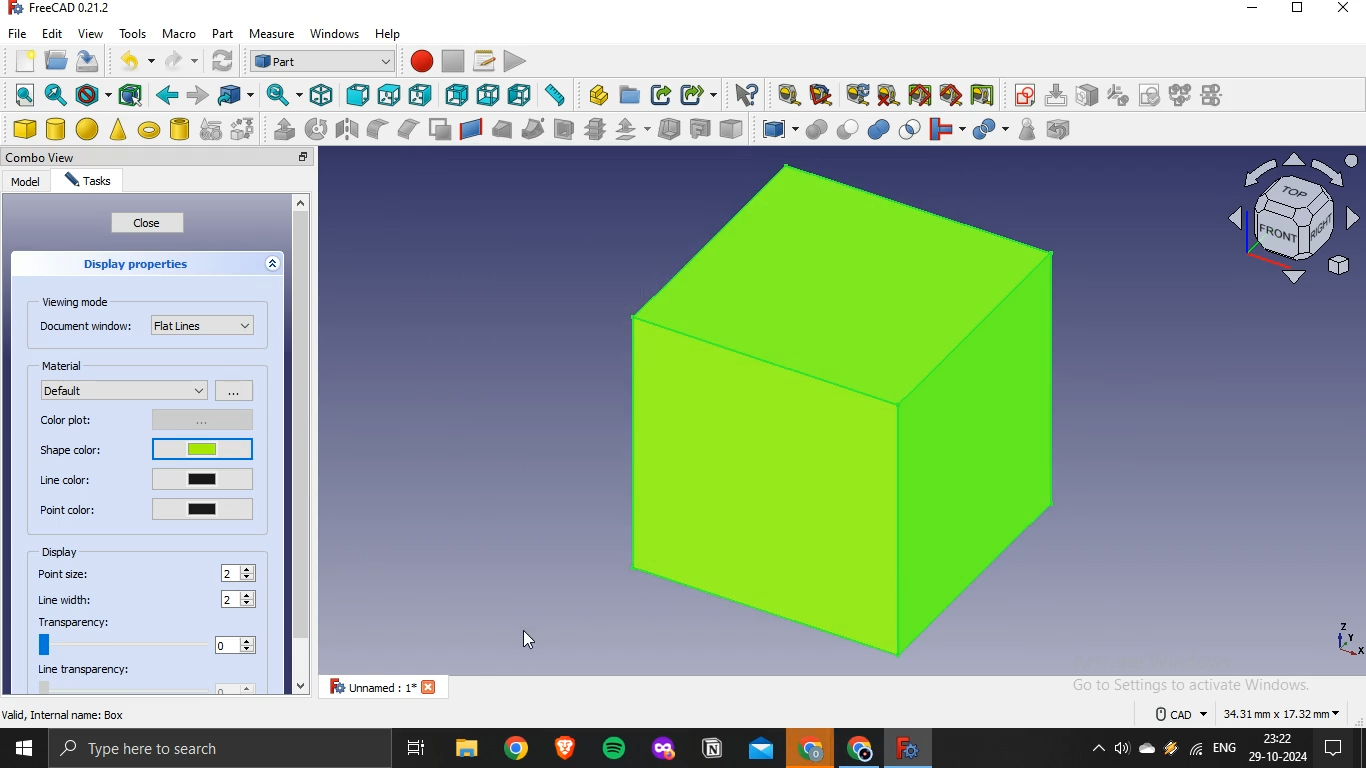 This screenshot has height=768, width=1366. I want to click on part, so click(221, 32).